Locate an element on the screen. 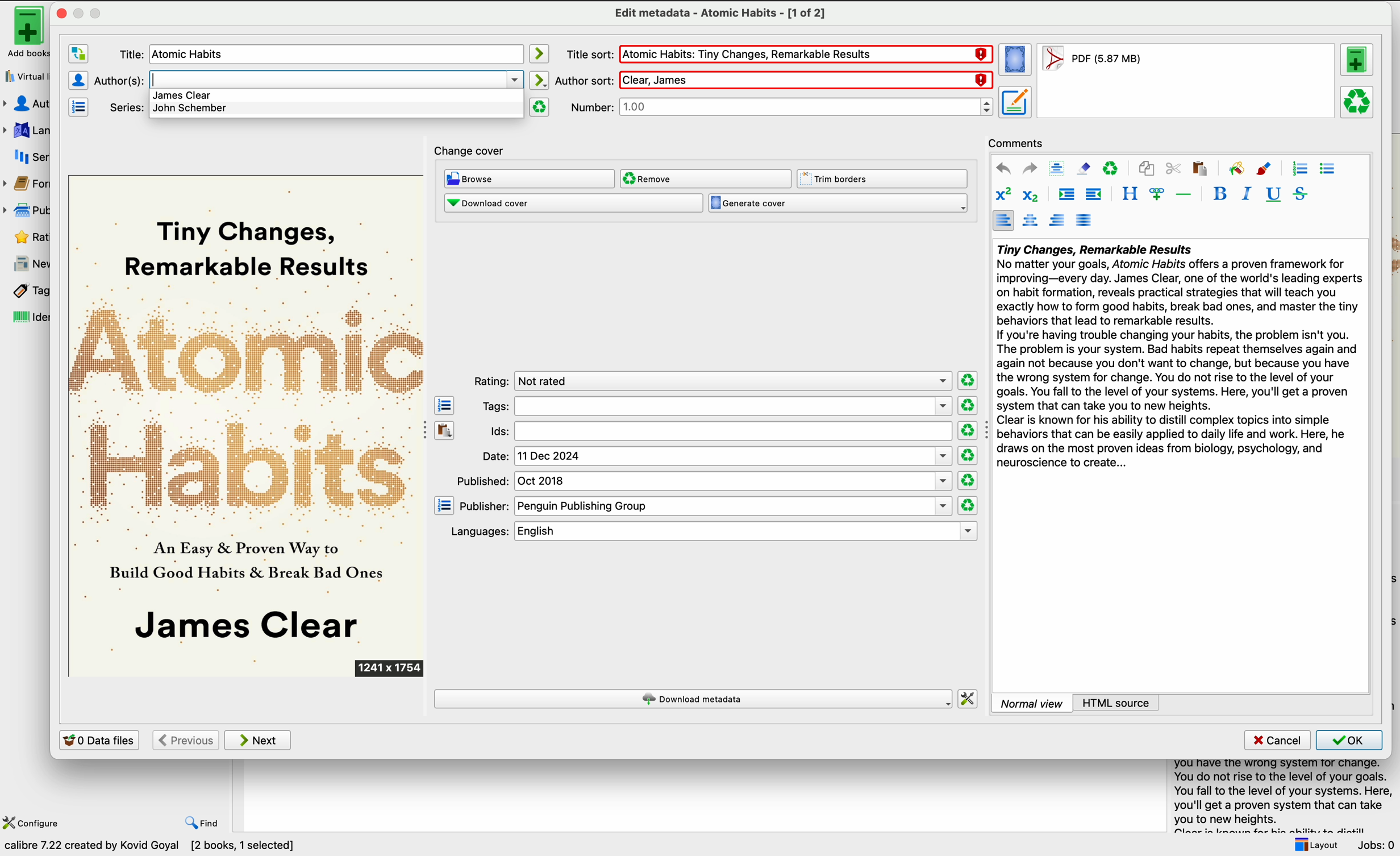 This screenshot has height=856, width=1400. title in red is located at coordinates (806, 55).